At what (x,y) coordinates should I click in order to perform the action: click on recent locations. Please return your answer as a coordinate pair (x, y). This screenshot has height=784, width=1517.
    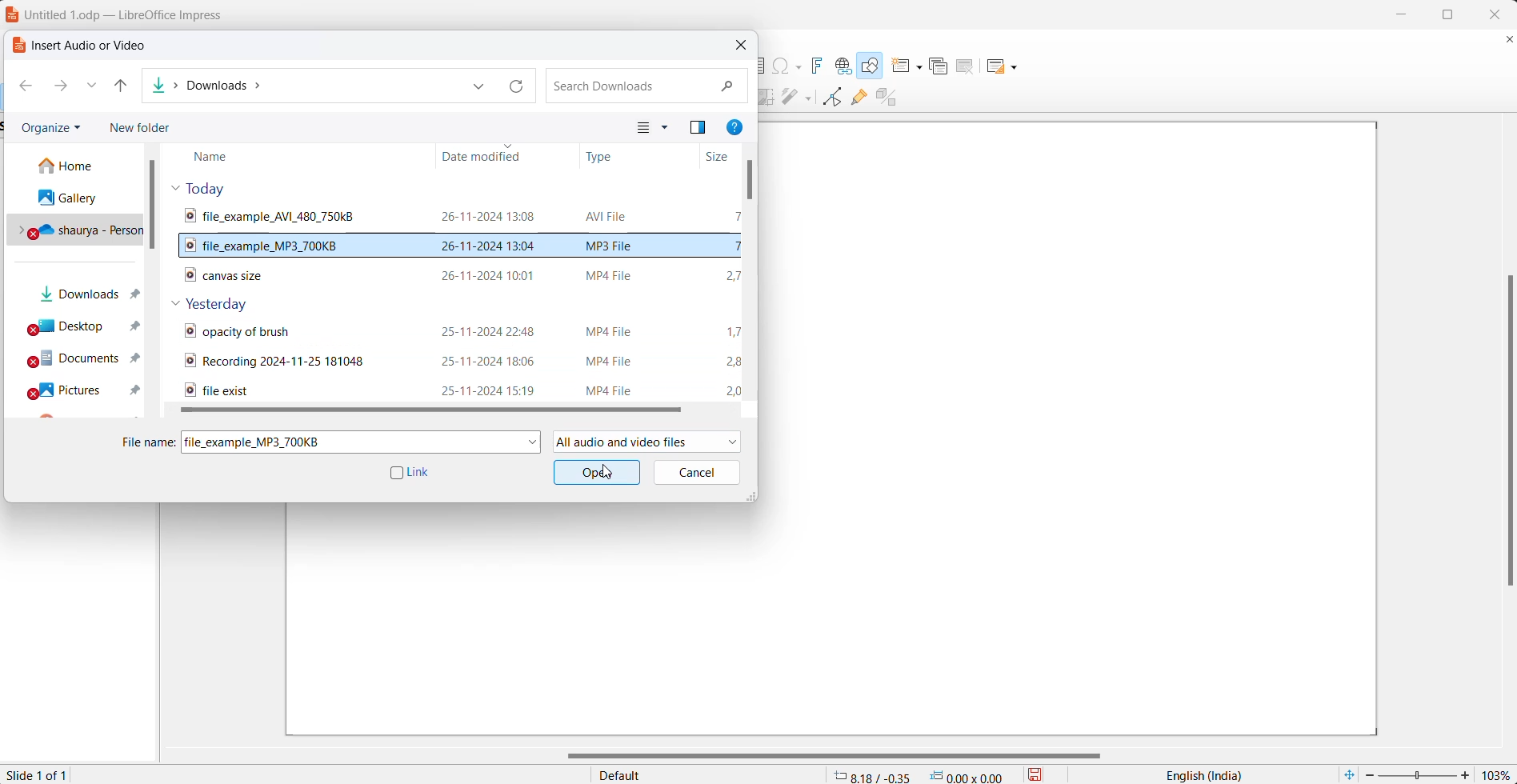
    Looking at the image, I should click on (91, 88).